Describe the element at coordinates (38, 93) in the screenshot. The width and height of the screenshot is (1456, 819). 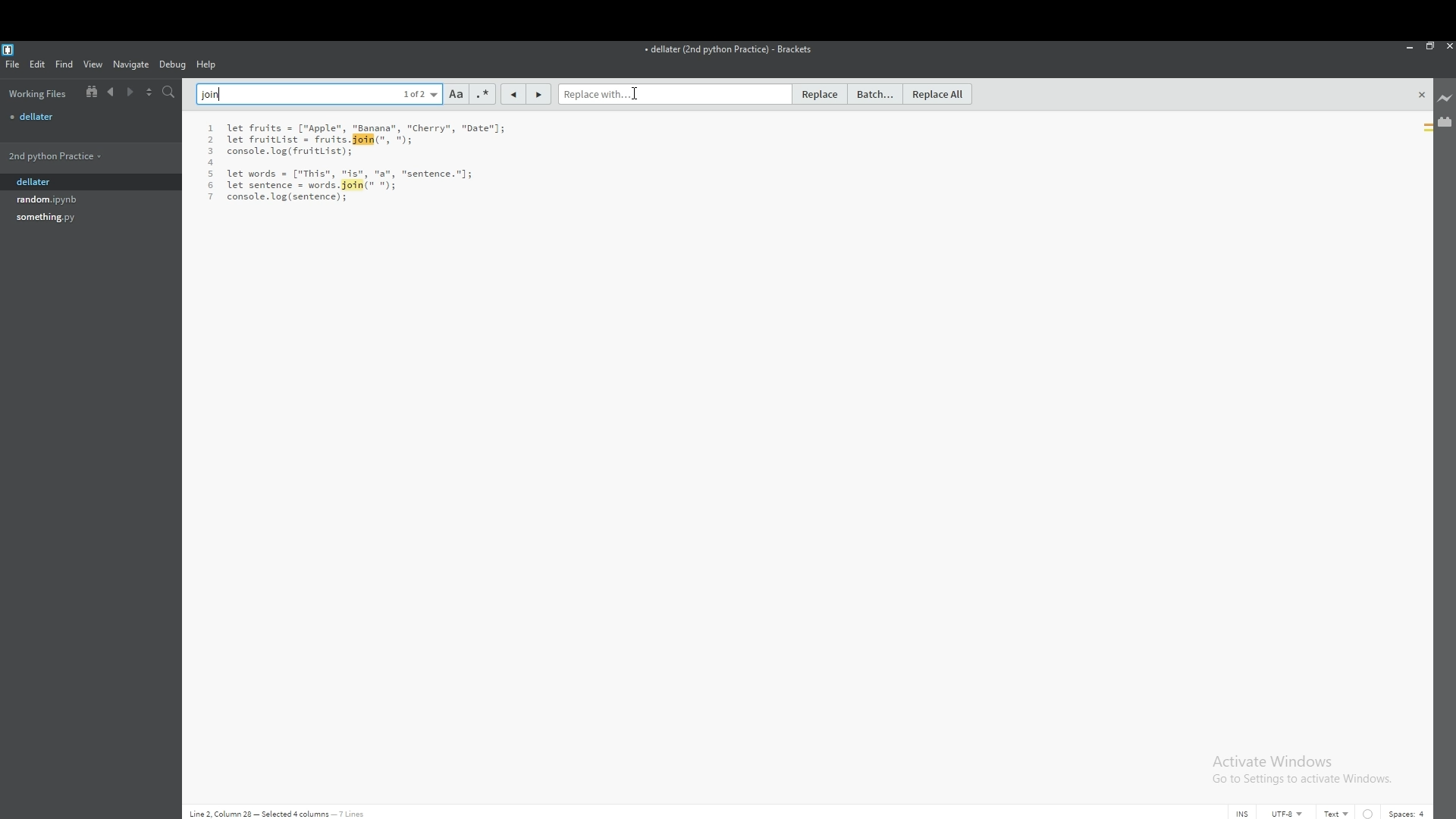
I see `working files` at that location.